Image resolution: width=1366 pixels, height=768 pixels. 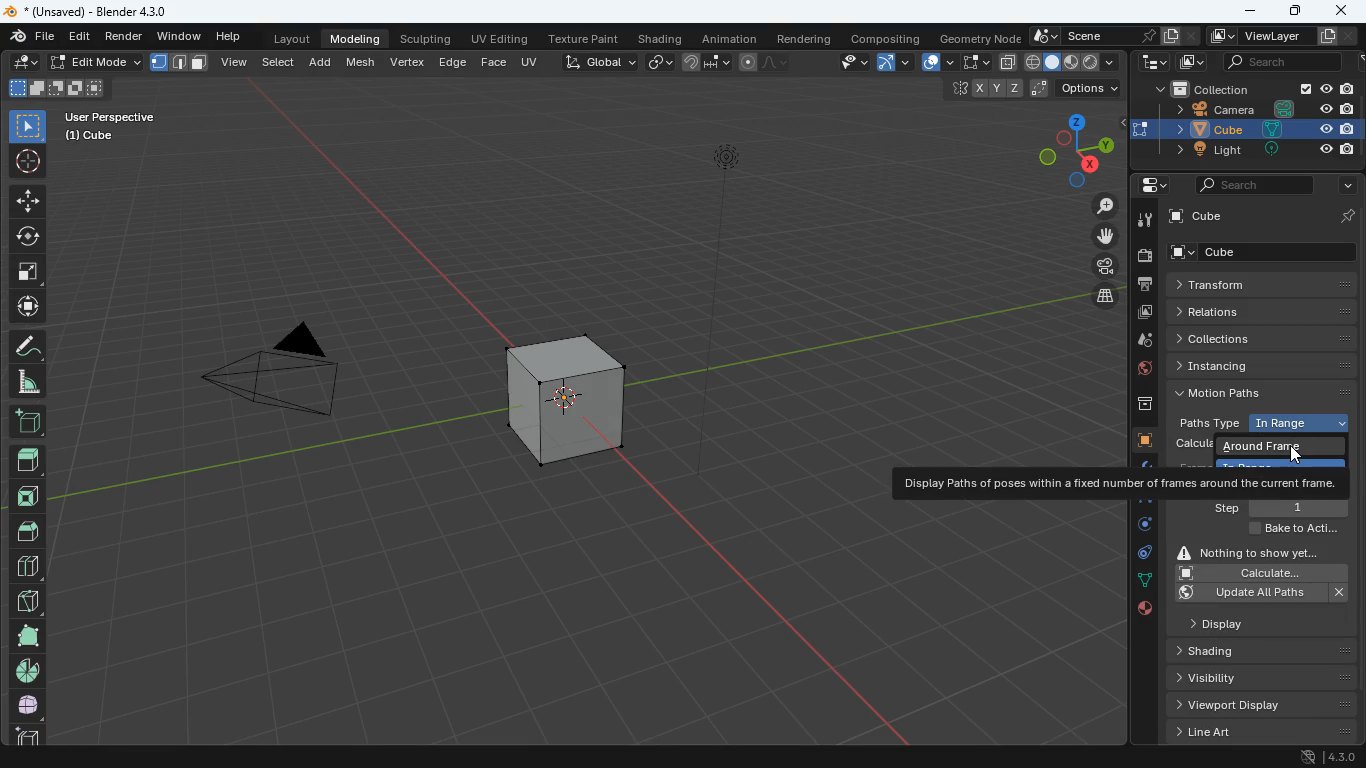 What do you see at coordinates (1266, 338) in the screenshot?
I see `collections` at bounding box center [1266, 338].